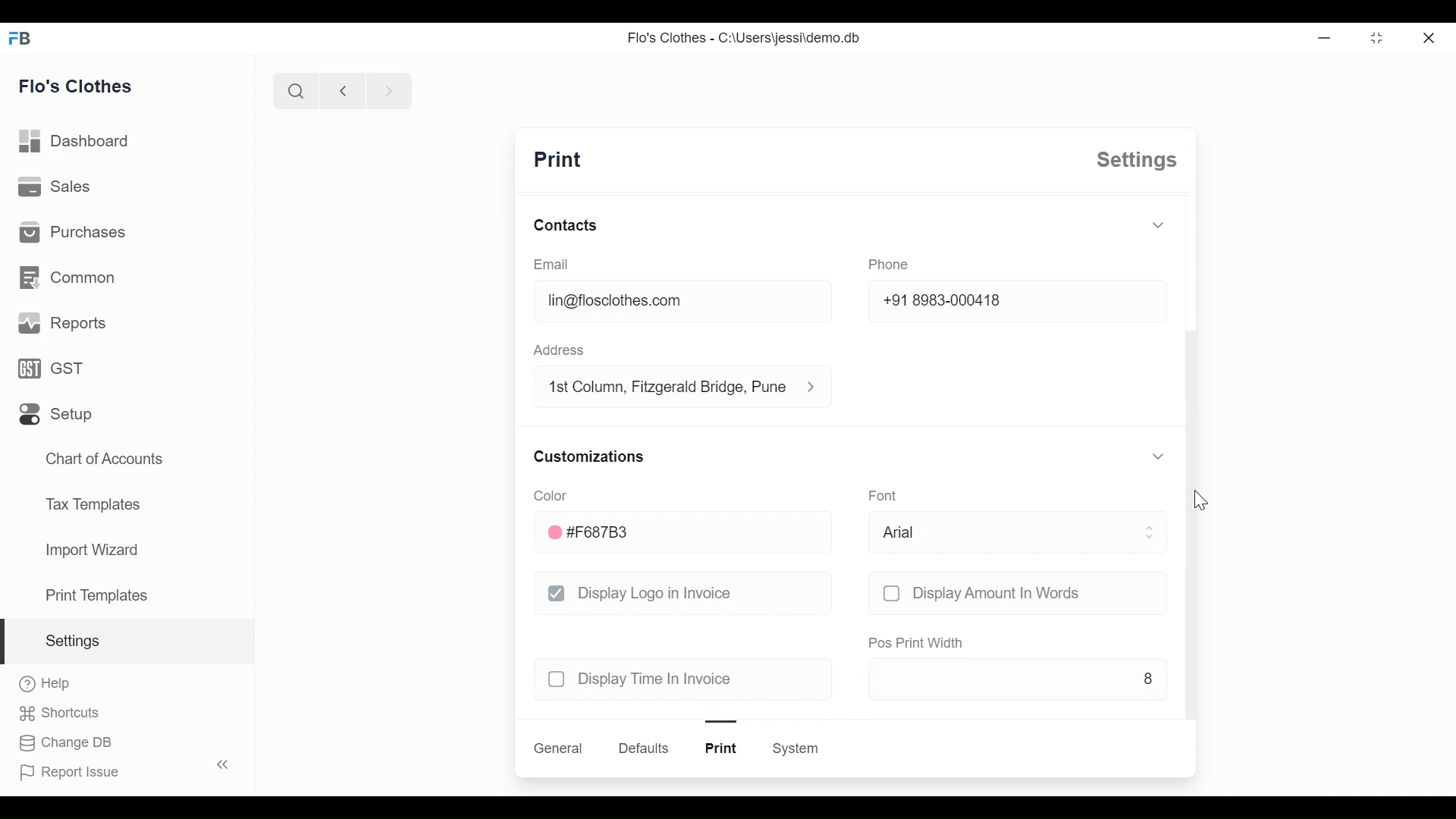  I want to click on display amount in words, so click(998, 593).